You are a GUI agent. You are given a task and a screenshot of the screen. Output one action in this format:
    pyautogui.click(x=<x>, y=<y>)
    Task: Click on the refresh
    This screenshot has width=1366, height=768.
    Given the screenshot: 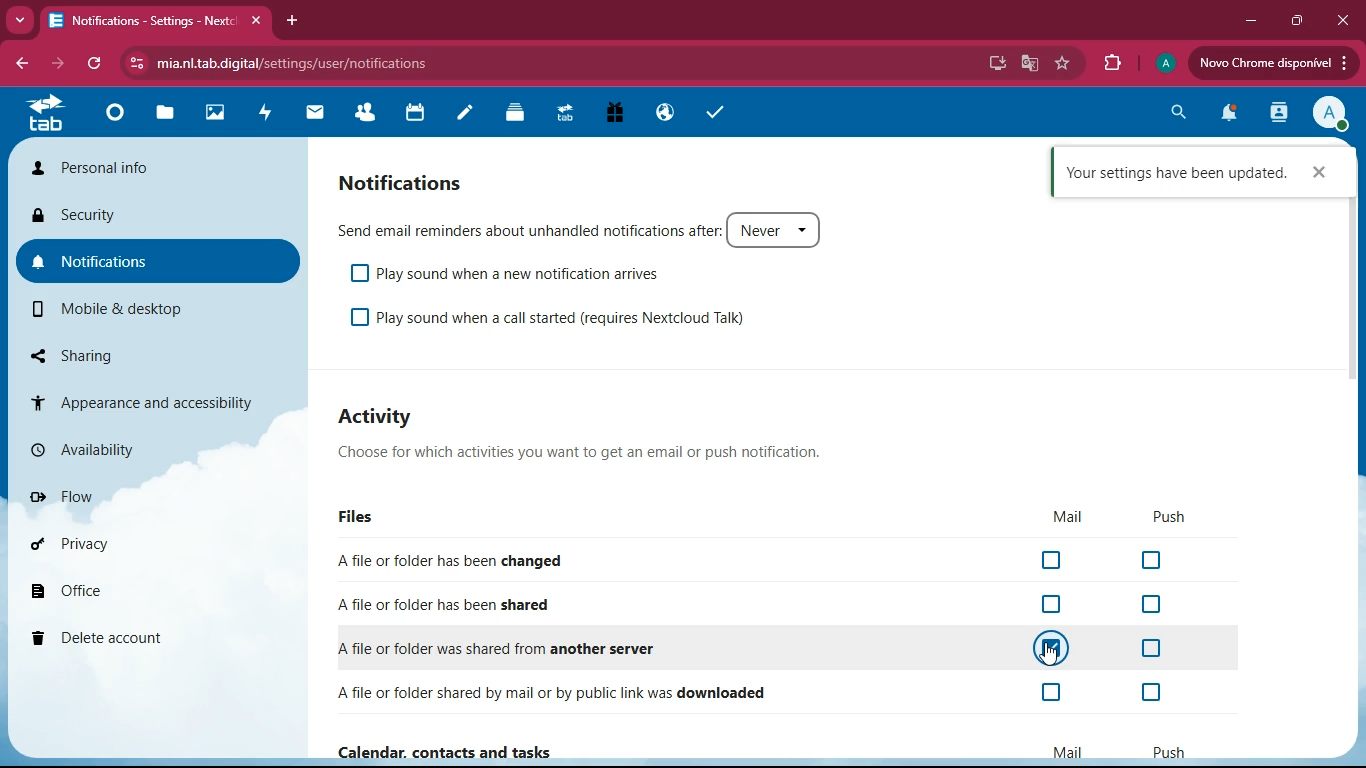 What is the action you would take?
    pyautogui.click(x=88, y=63)
    